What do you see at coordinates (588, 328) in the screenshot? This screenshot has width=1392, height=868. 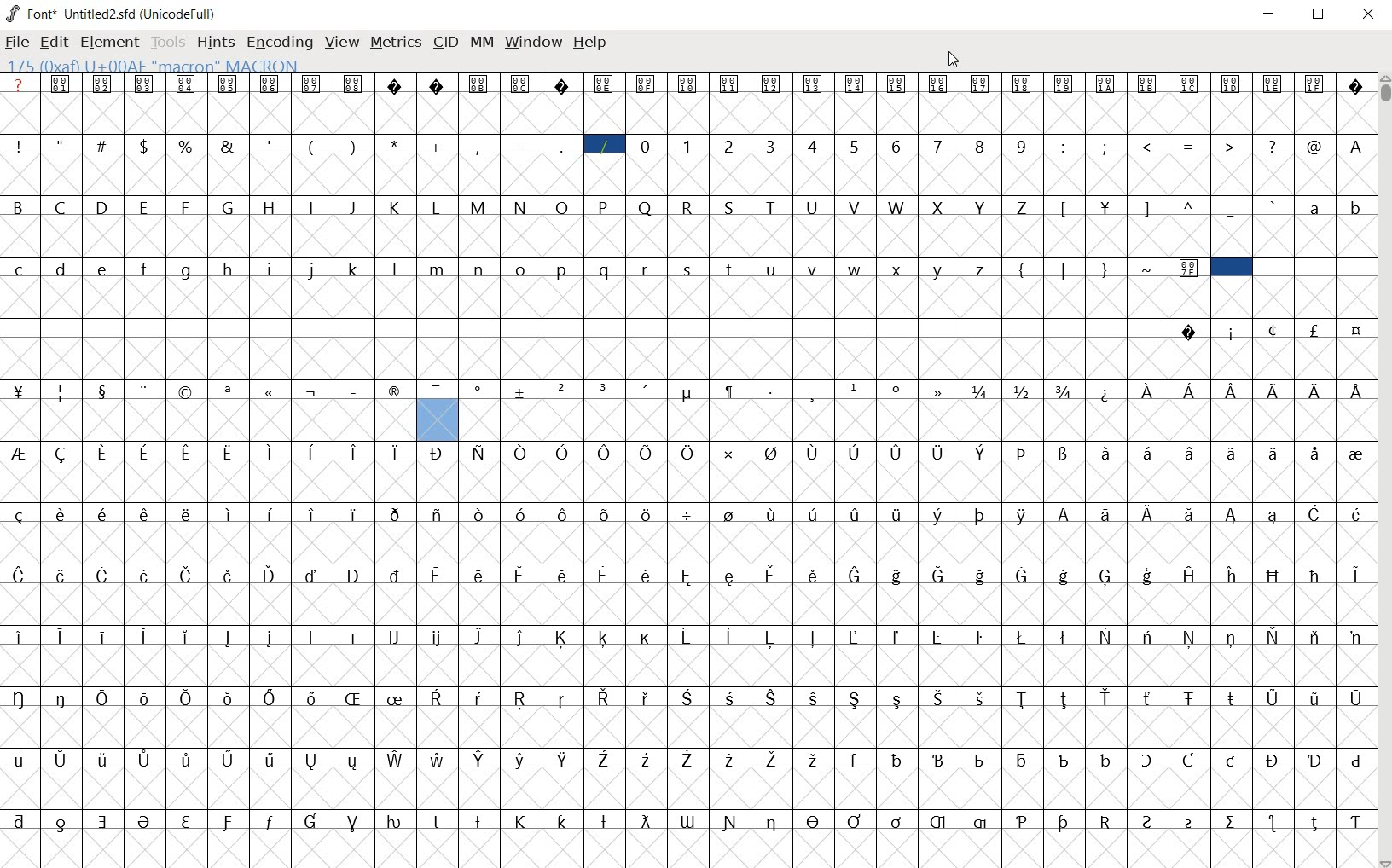 I see `empty spaces` at bounding box center [588, 328].